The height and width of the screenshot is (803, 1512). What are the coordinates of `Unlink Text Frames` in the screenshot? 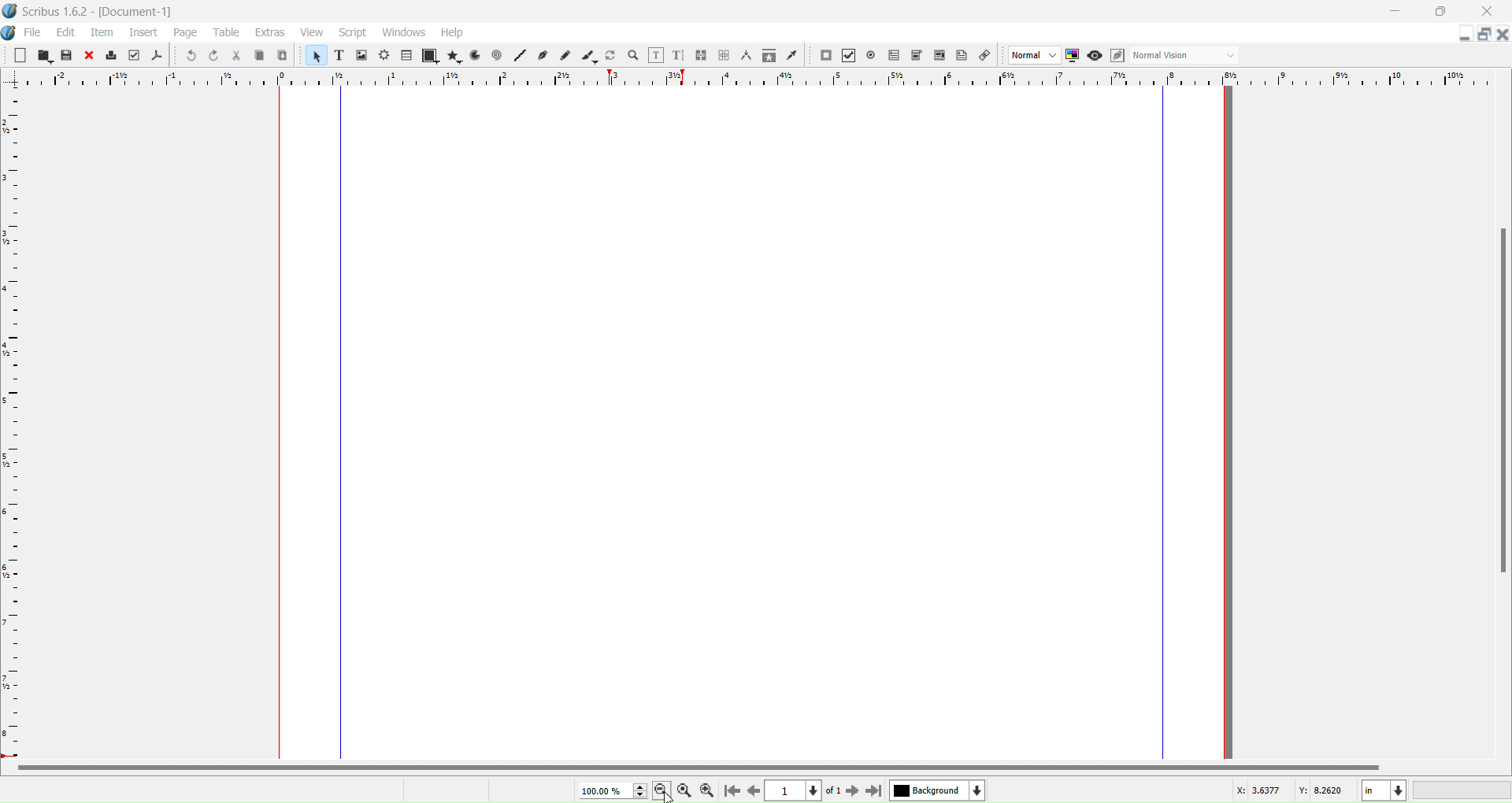 It's located at (724, 55).